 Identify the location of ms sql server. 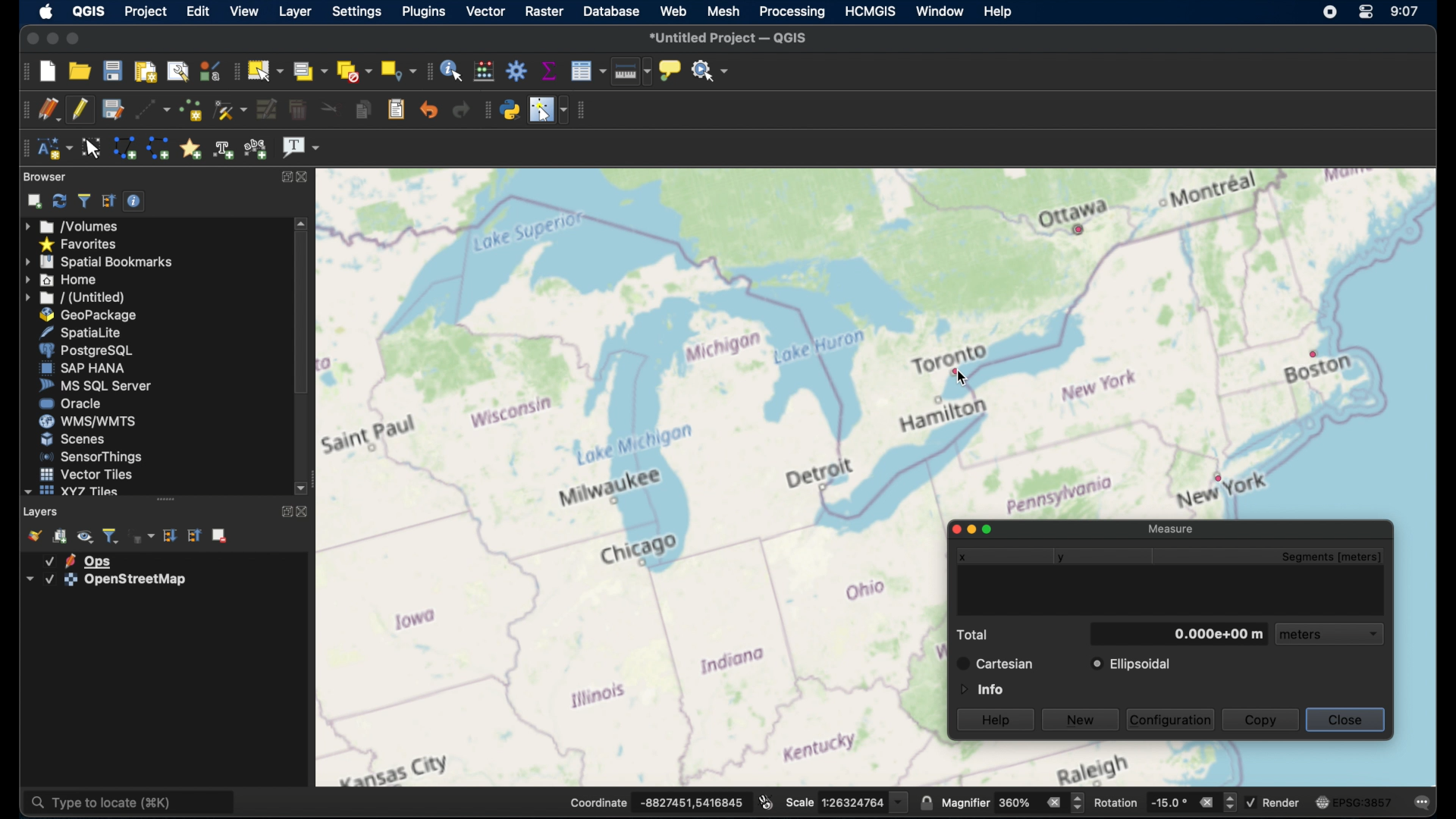
(95, 387).